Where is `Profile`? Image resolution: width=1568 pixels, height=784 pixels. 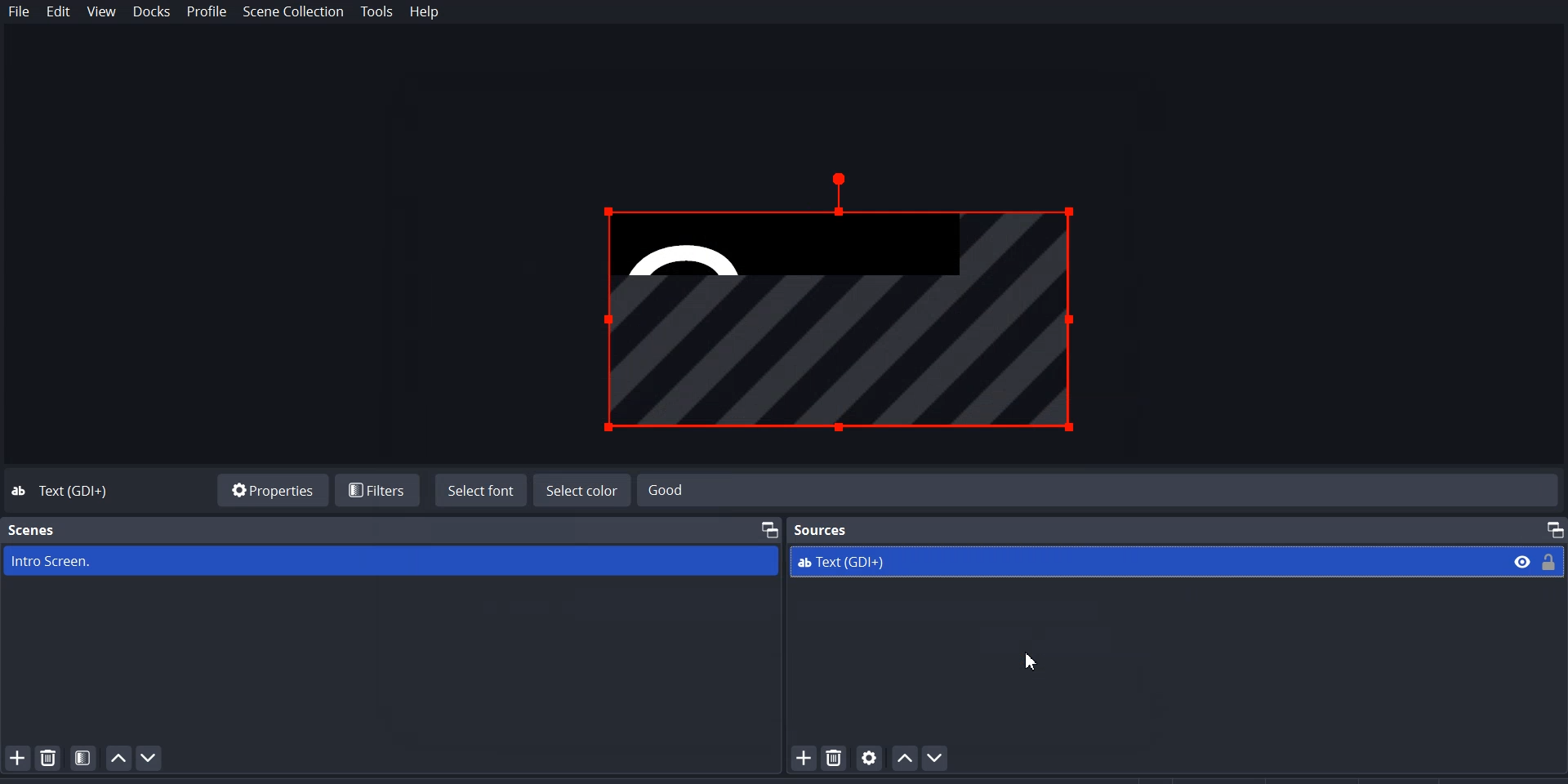 Profile is located at coordinates (207, 12).